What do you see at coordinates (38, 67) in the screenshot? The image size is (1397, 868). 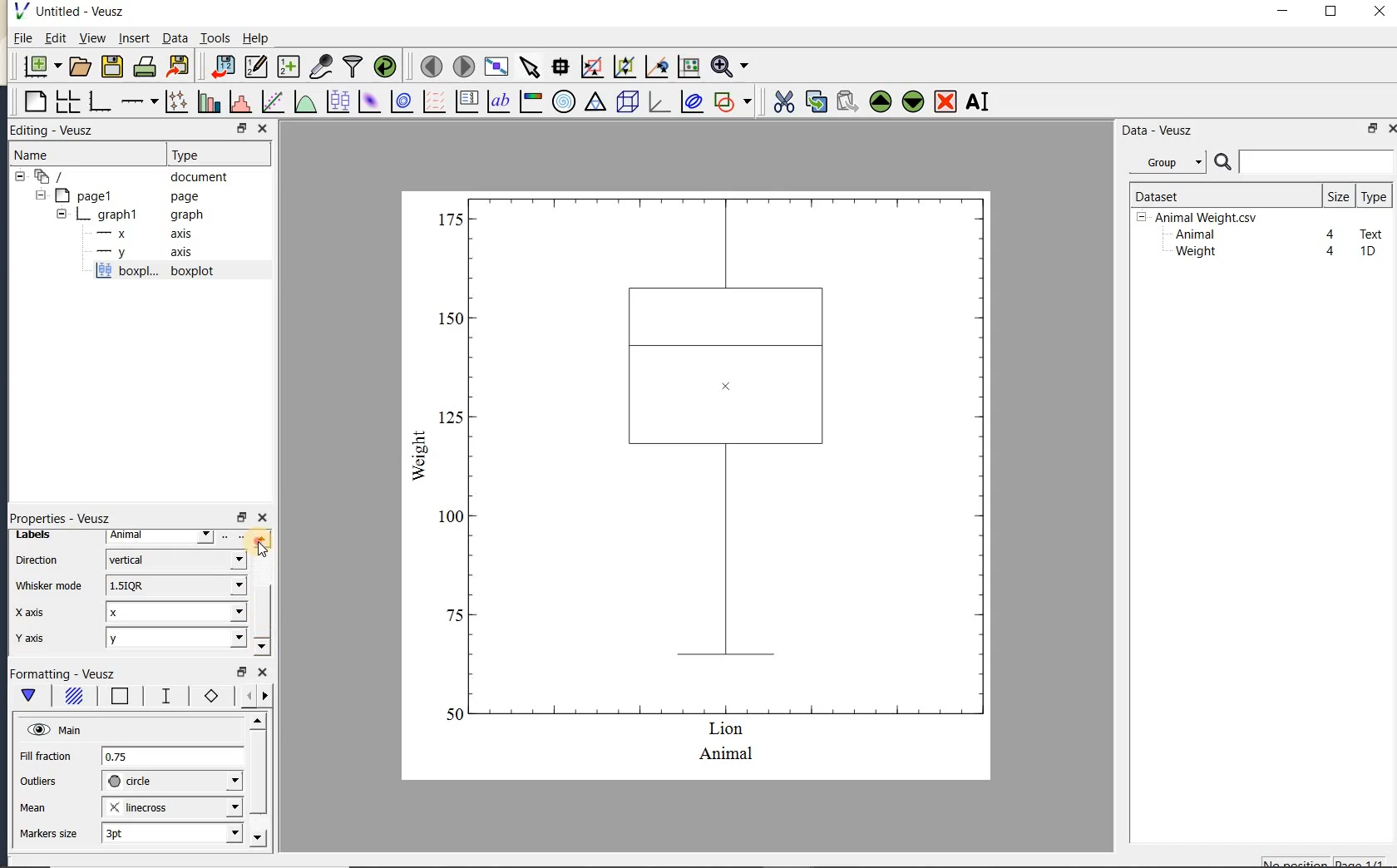 I see `new document` at bounding box center [38, 67].